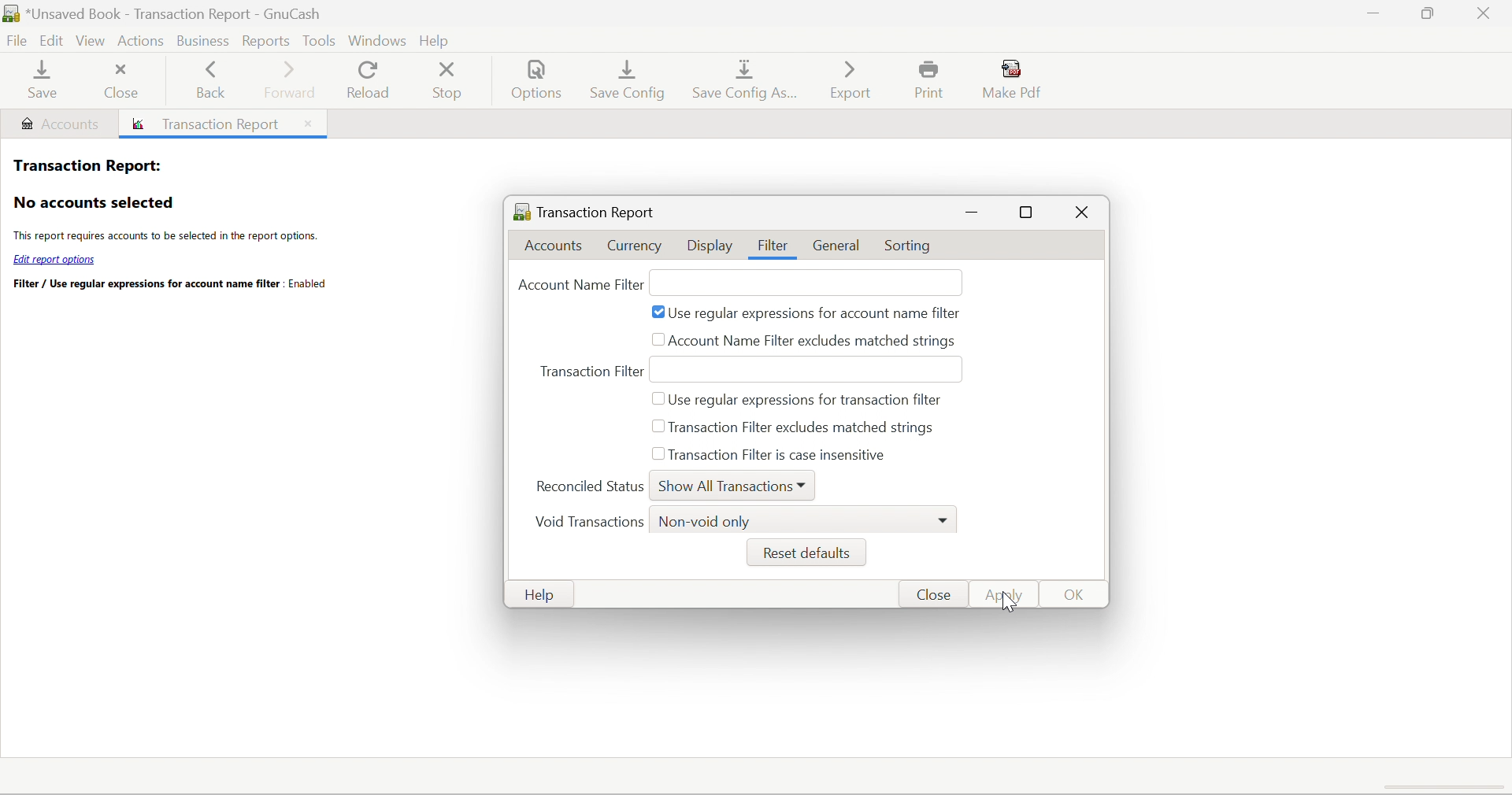 Image resolution: width=1512 pixels, height=795 pixels. What do you see at coordinates (660, 397) in the screenshot?
I see `checkbox` at bounding box center [660, 397].